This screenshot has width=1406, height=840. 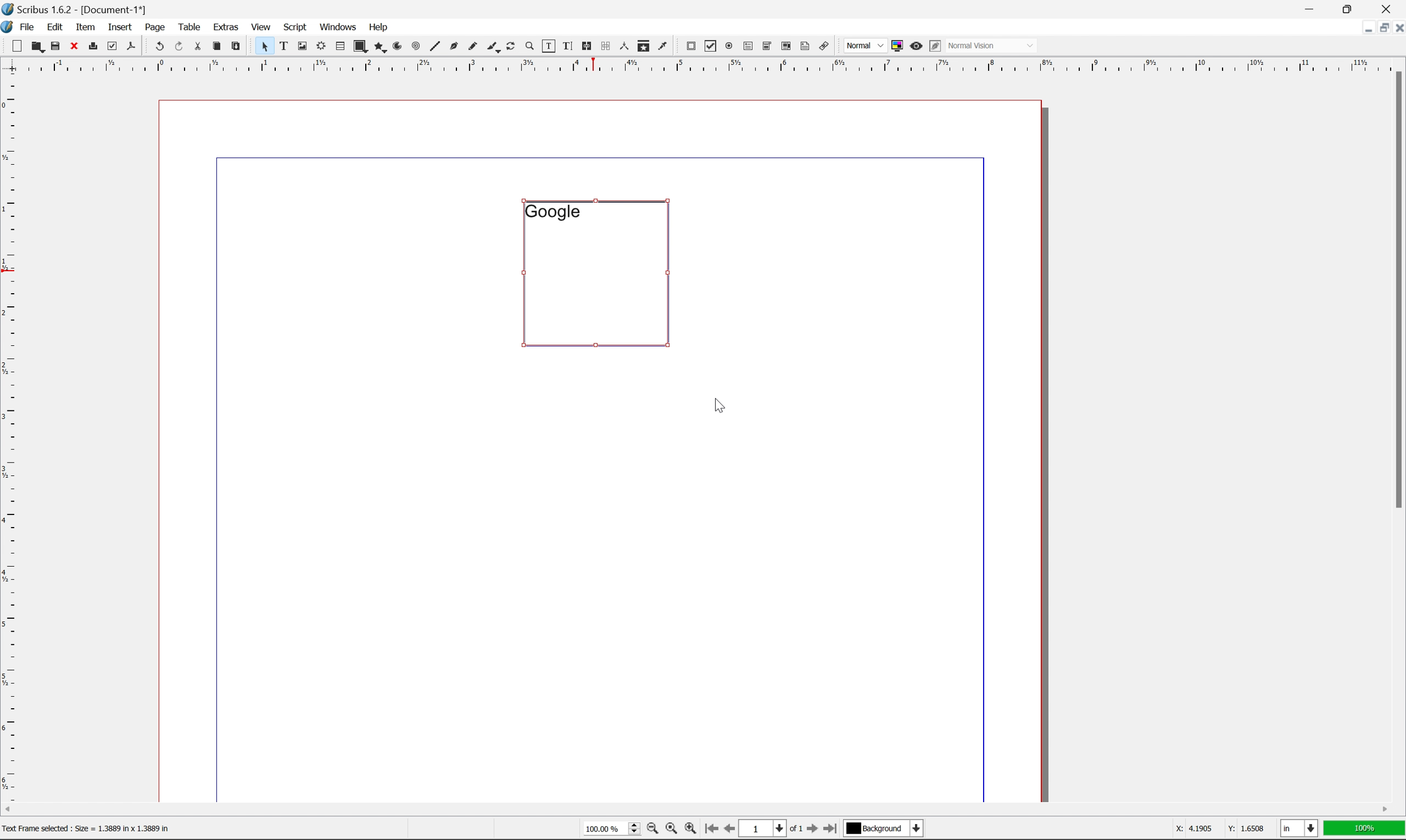 I want to click on zoom in, so click(x=690, y=829).